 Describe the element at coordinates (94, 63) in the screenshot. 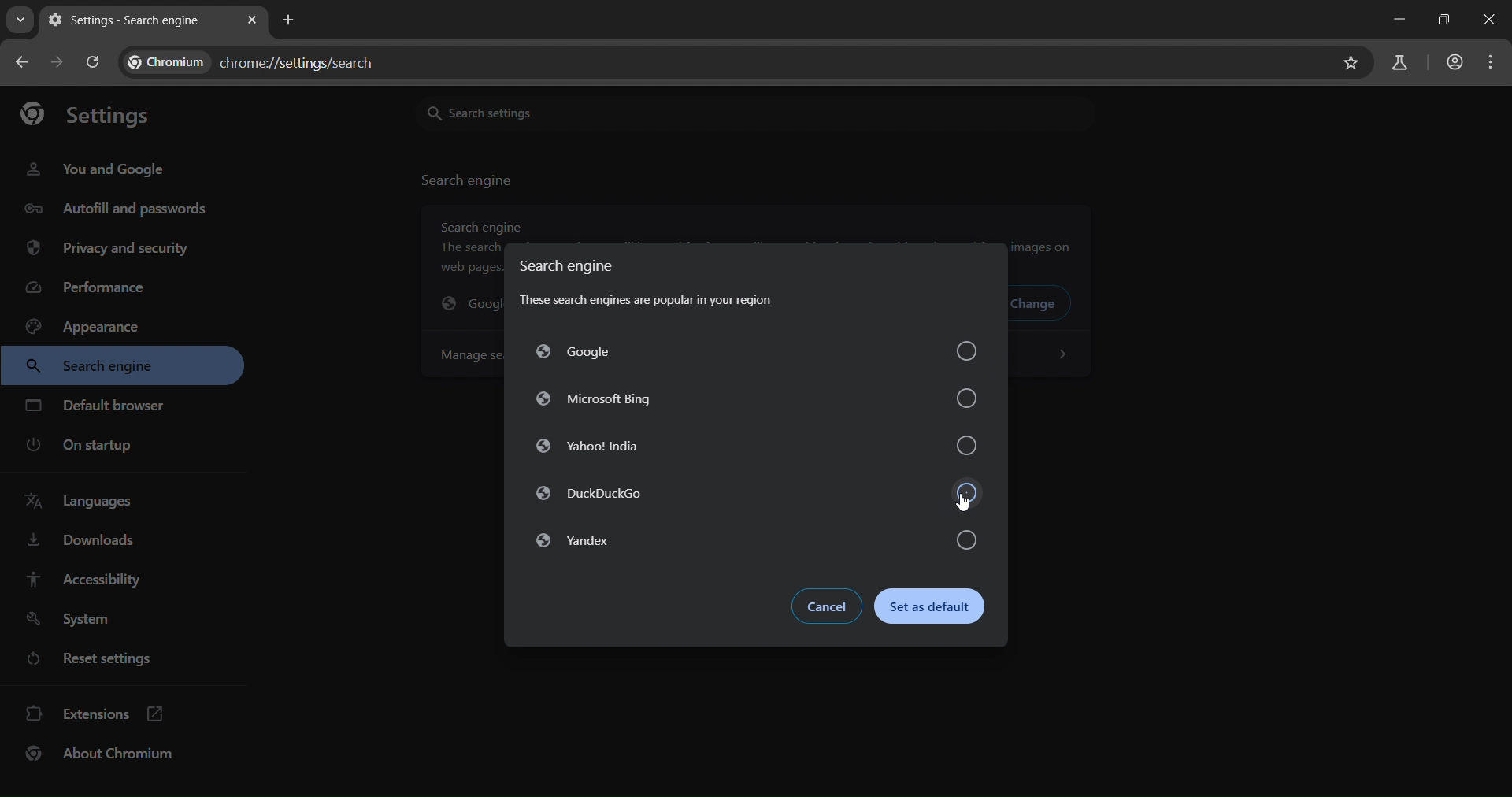

I see `reload page` at that location.